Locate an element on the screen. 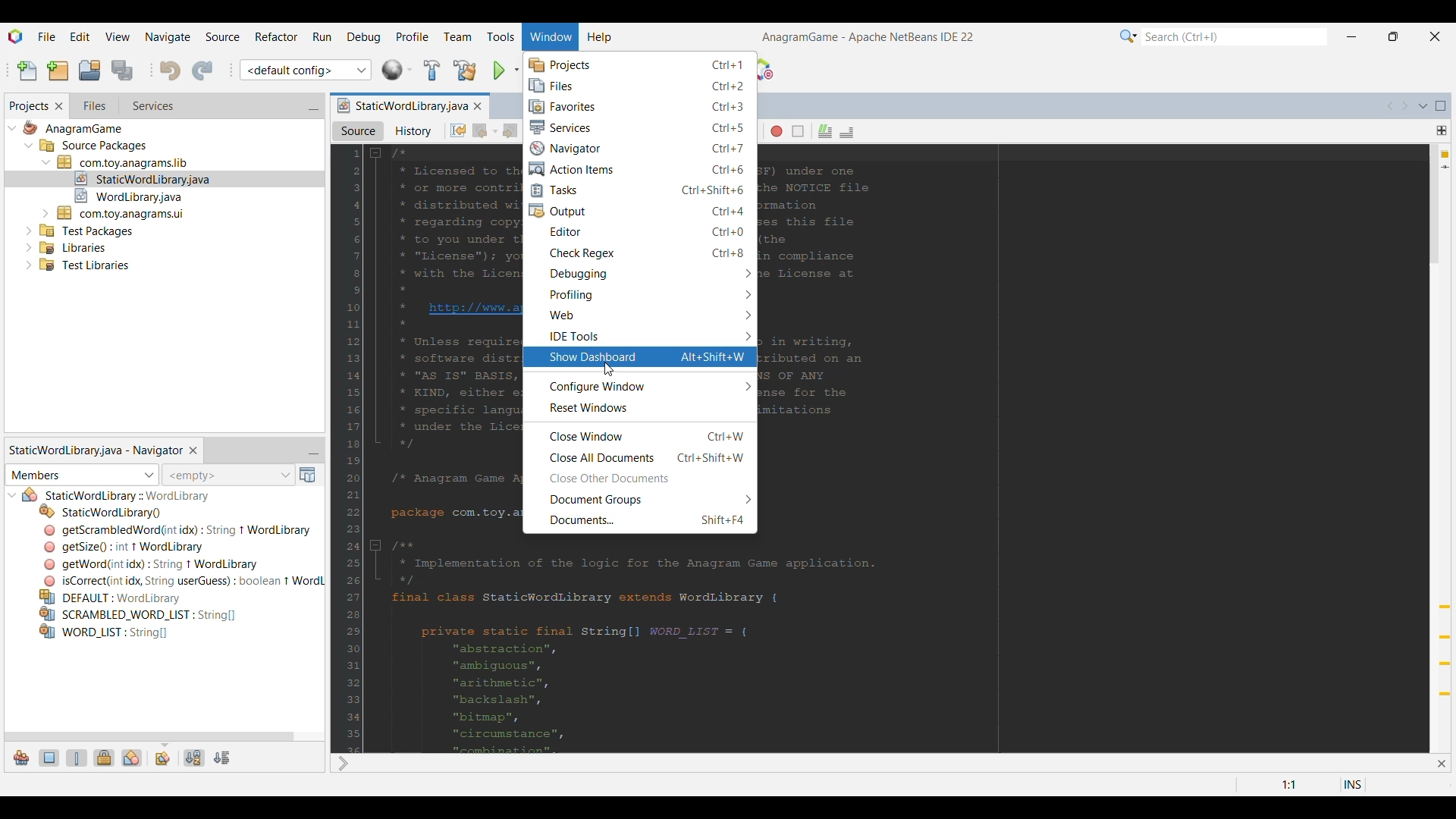 The height and width of the screenshot is (819, 1456). New file is located at coordinates (27, 71).